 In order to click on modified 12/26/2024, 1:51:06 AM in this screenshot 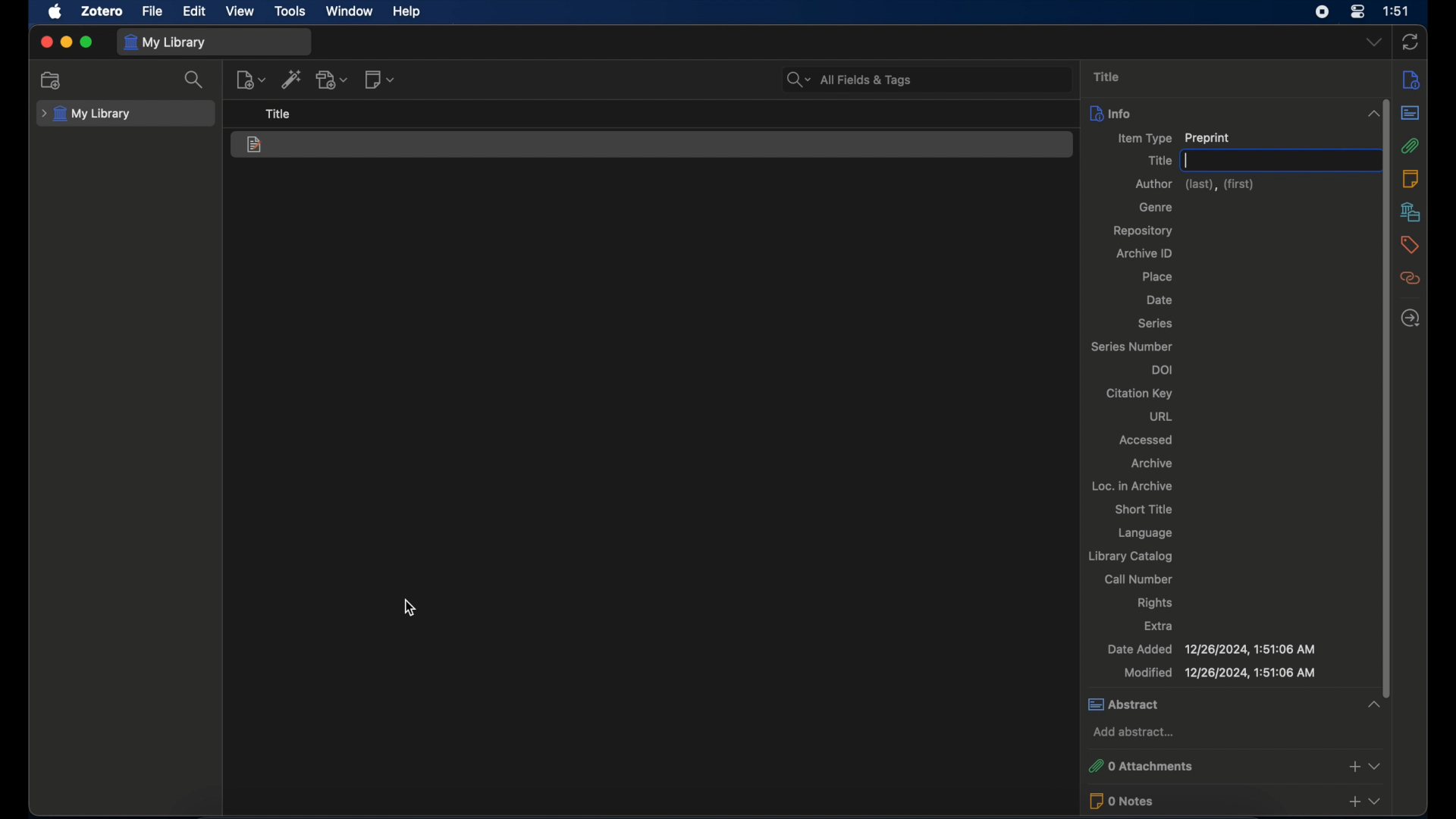, I will do `click(1219, 673)`.